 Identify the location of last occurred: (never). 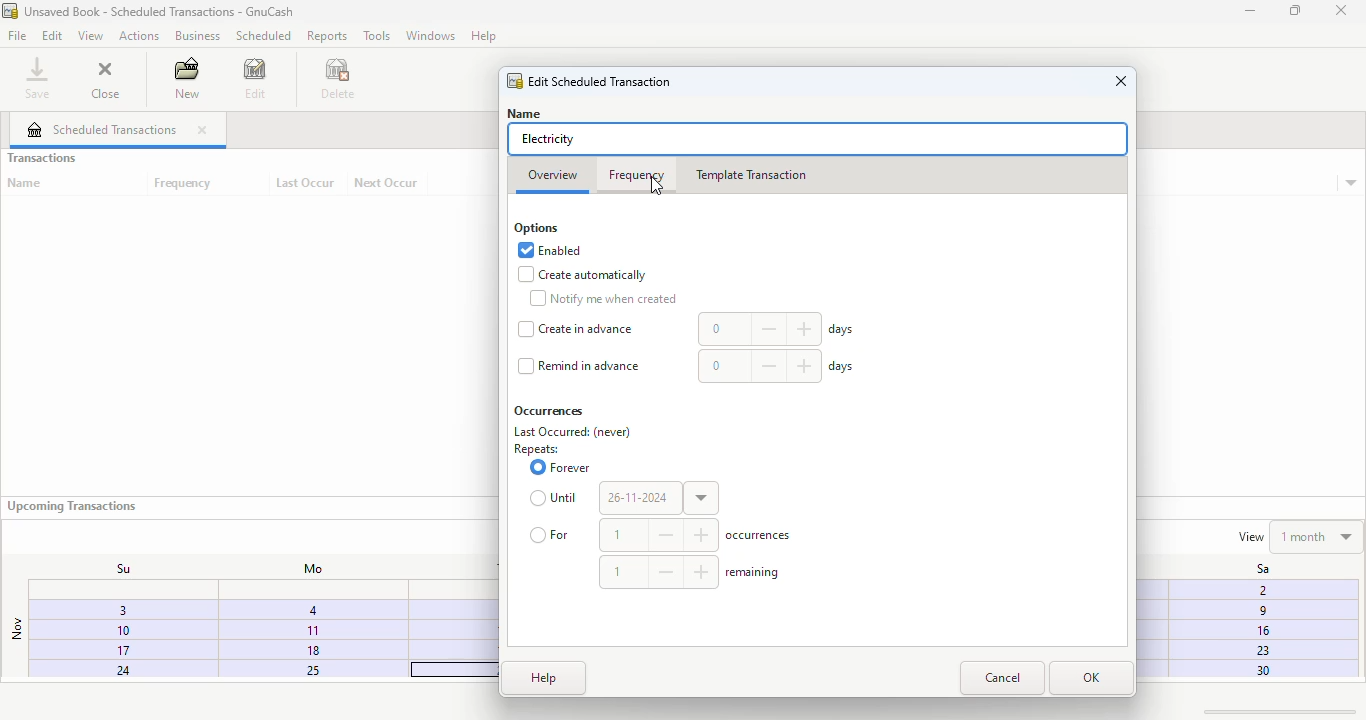
(573, 432).